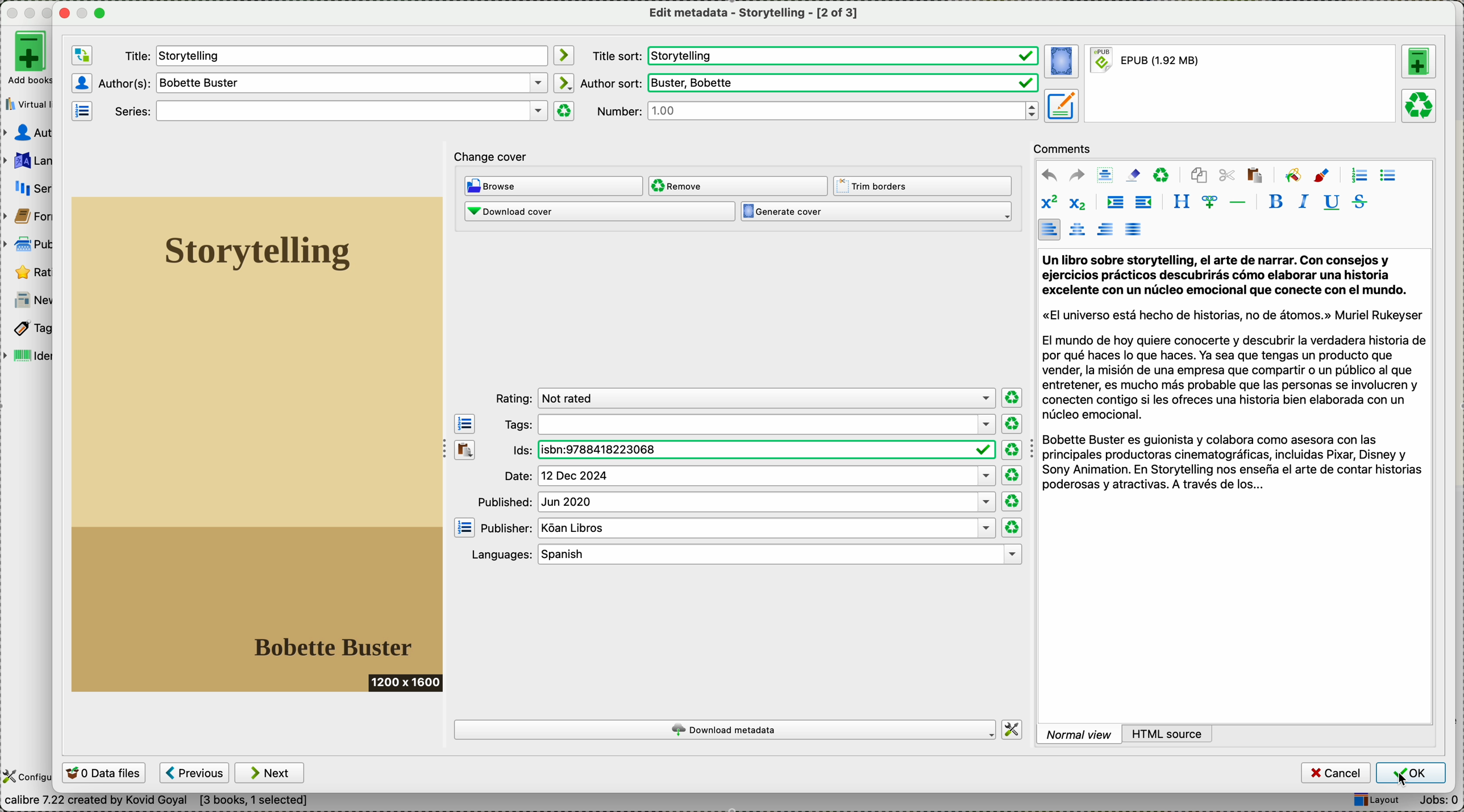 The height and width of the screenshot is (812, 1464). What do you see at coordinates (745, 398) in the screenshot?
I see `rating` at bounding box center [745, 398].